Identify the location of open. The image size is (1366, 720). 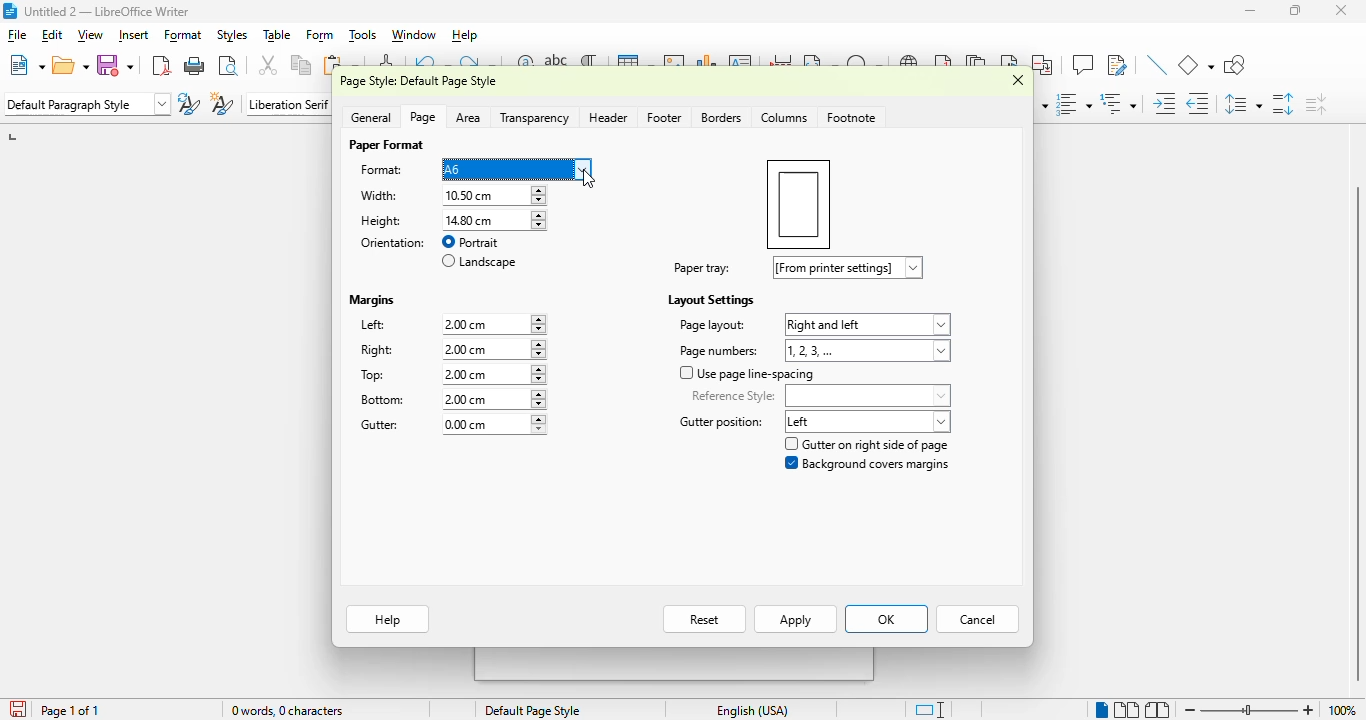
(70, 65).